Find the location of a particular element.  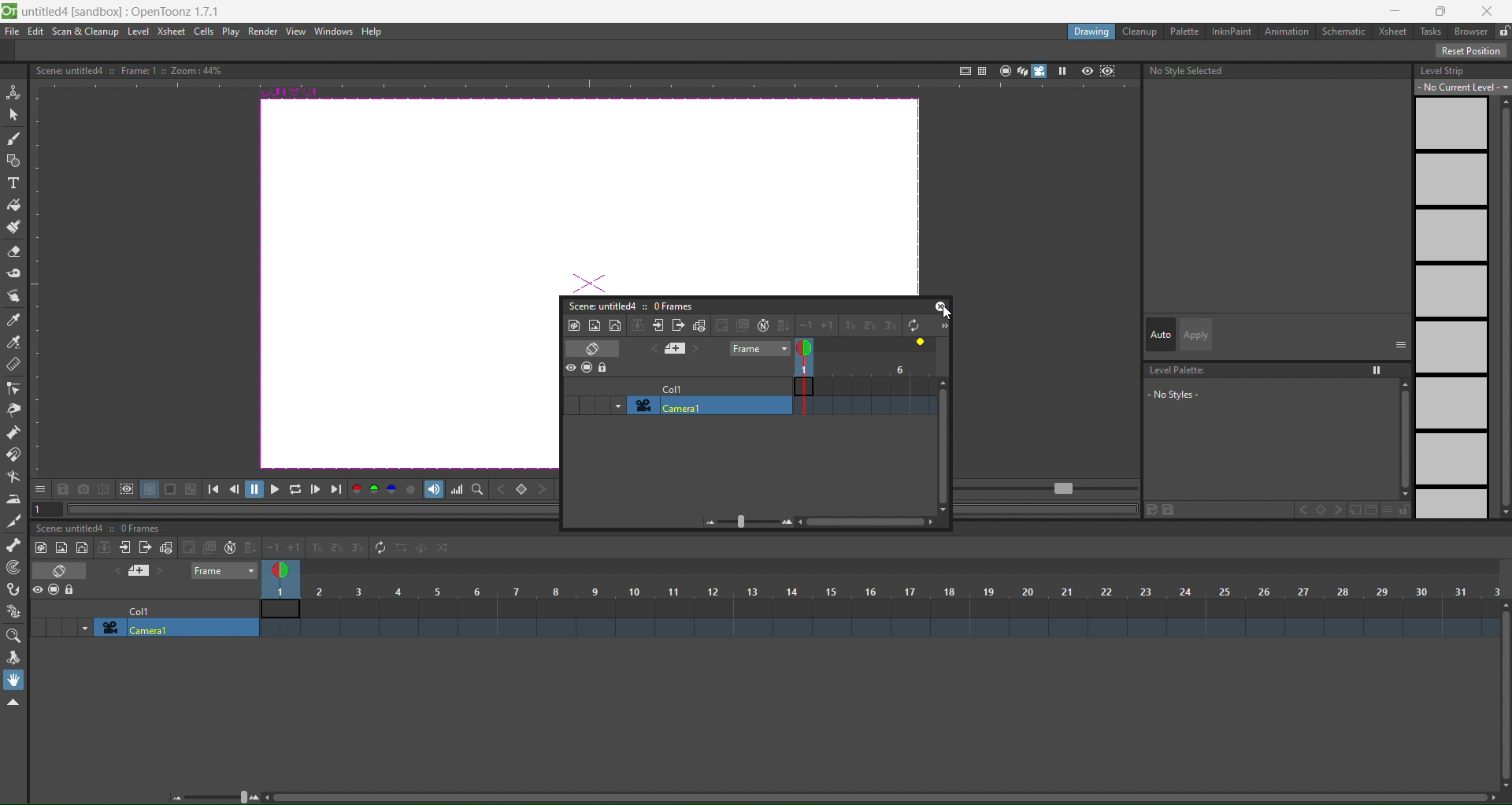

camera stand view is located at coordinates (1002, 69).